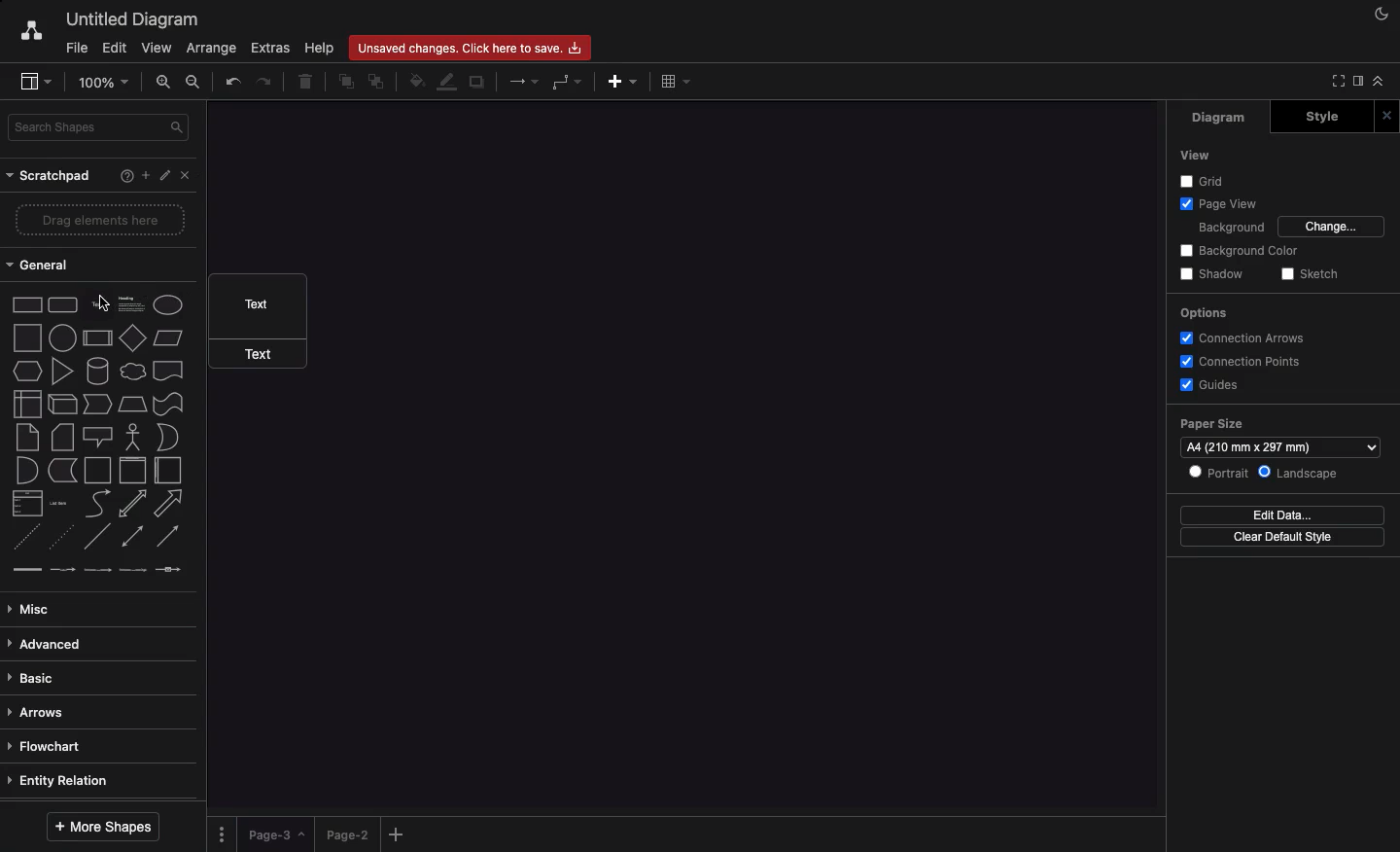 The width and height of the screenshot is (1400, 852). I want to click on Sidebar, so click(31, 80).